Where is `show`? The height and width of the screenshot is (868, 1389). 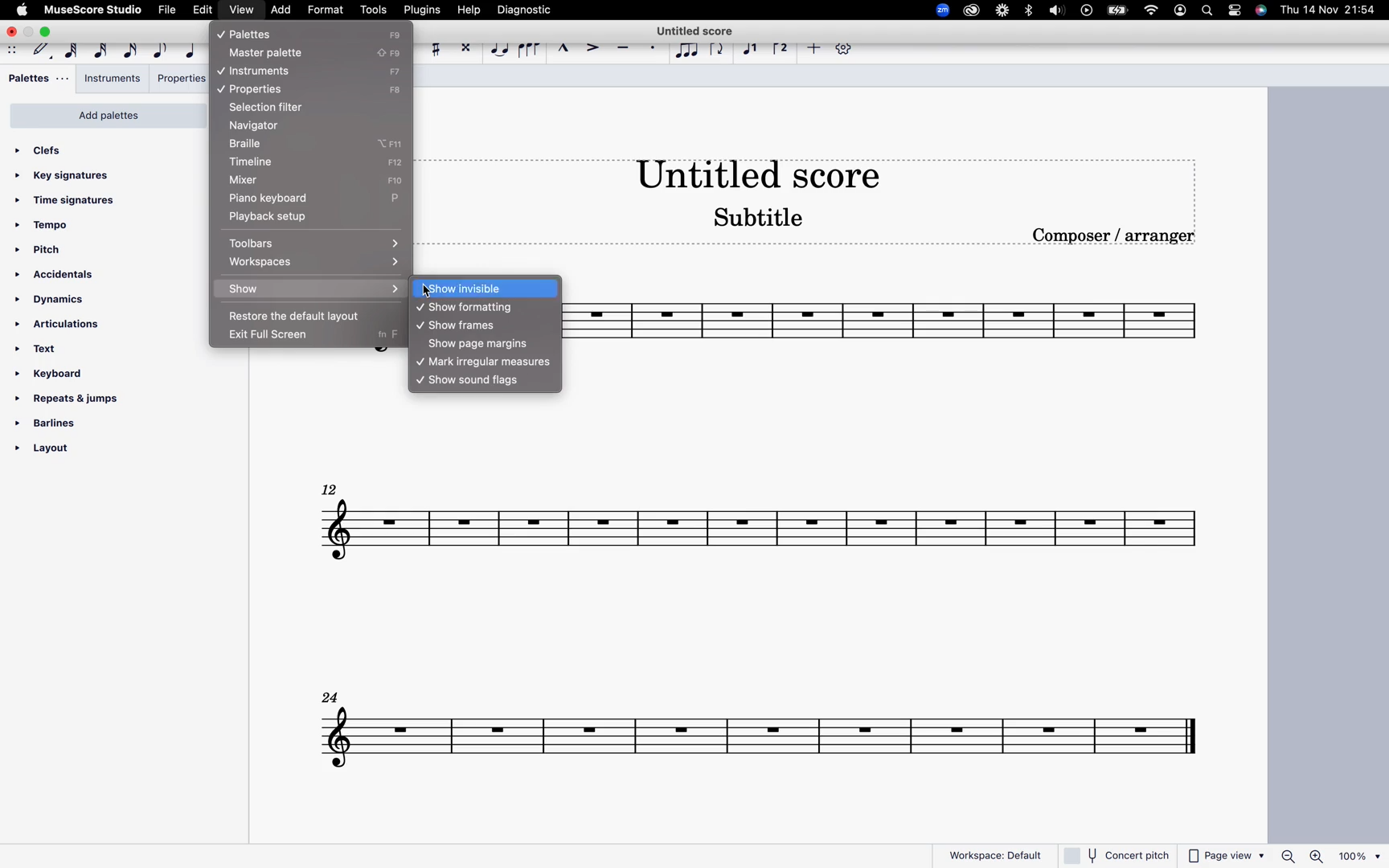
show is located at coordinates (309, 290).